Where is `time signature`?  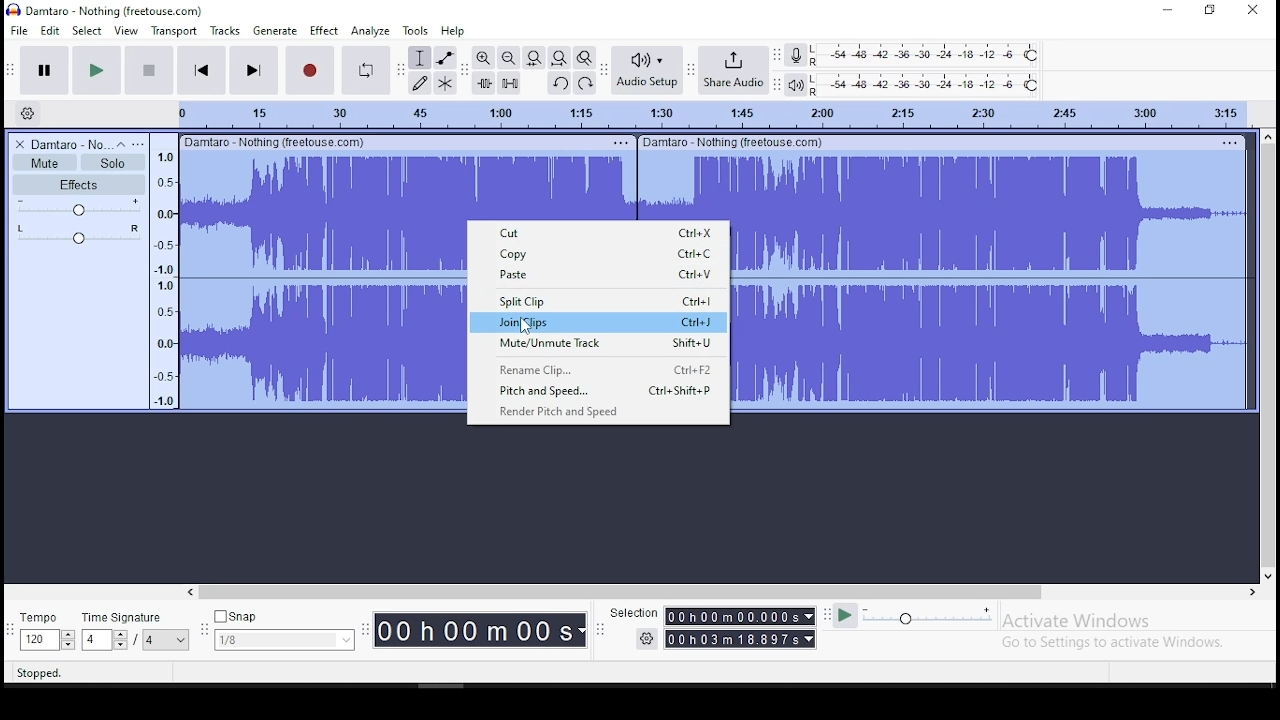 time signature is located at coordinates (124, 618).